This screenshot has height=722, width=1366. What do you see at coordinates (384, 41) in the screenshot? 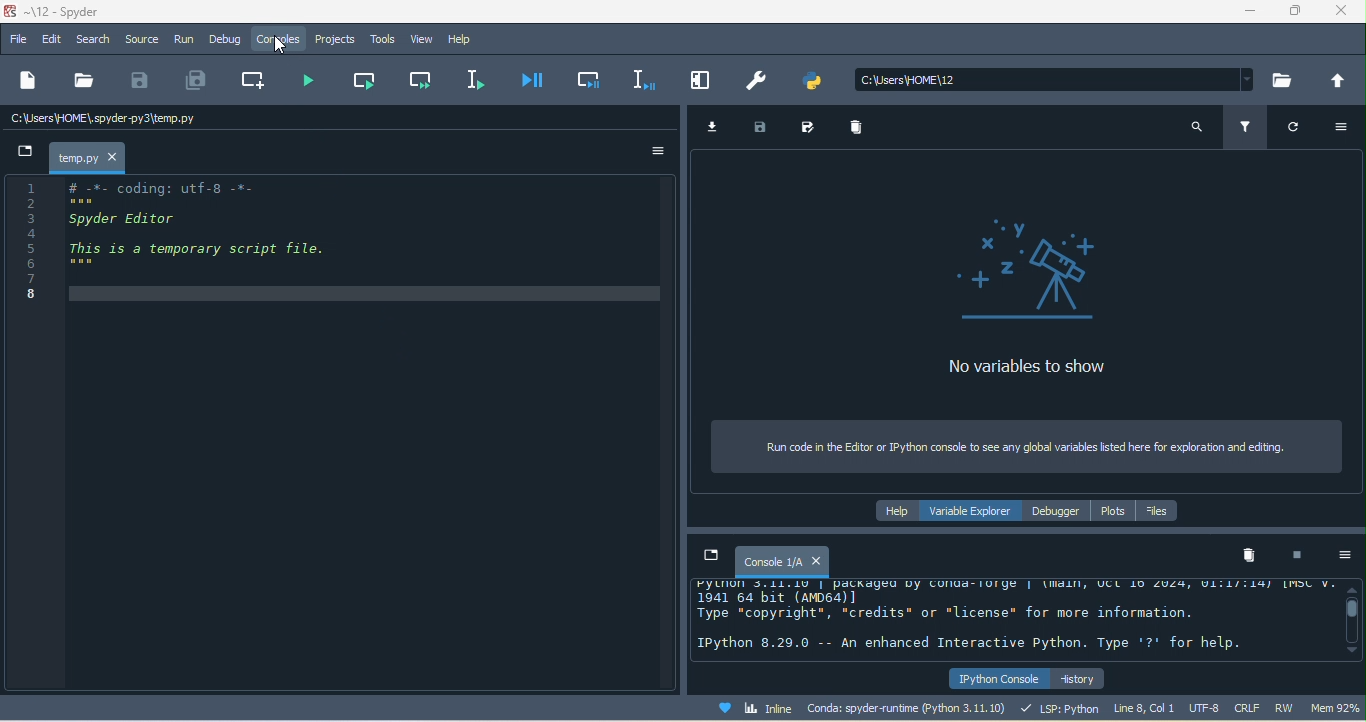
I see `tools` at bounding box center [384, 41].